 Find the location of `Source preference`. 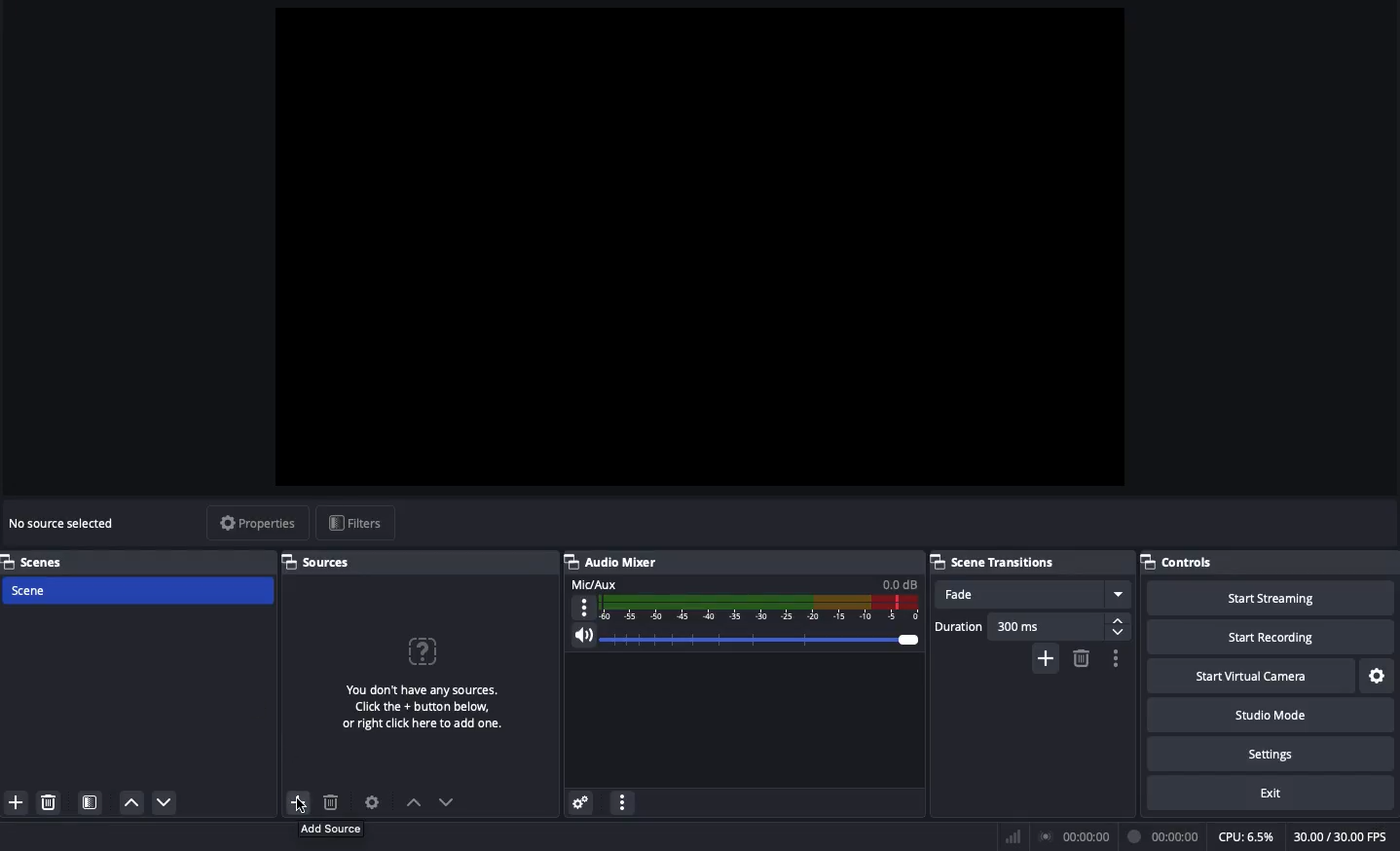

Source preference is located at coordinates (373, 801).